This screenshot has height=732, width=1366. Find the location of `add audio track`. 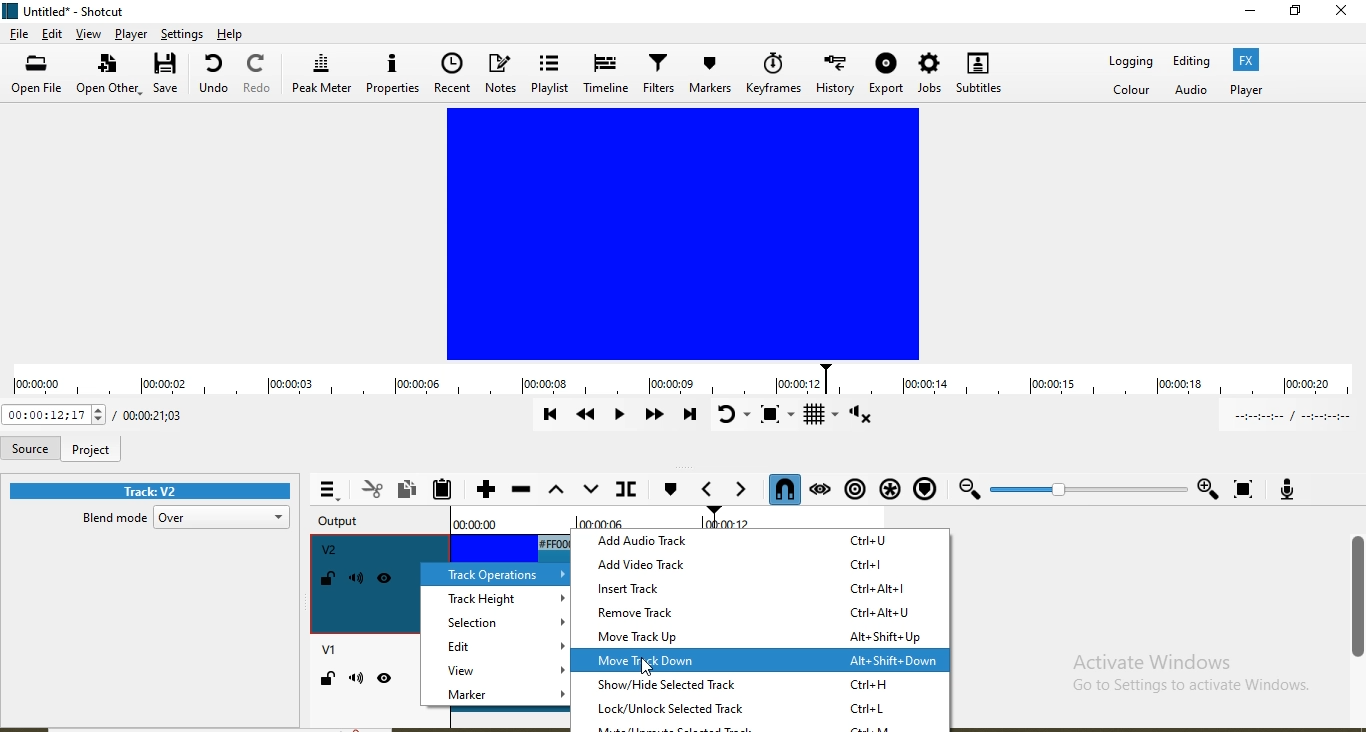

add audio track is located at coordinates (763, 538).